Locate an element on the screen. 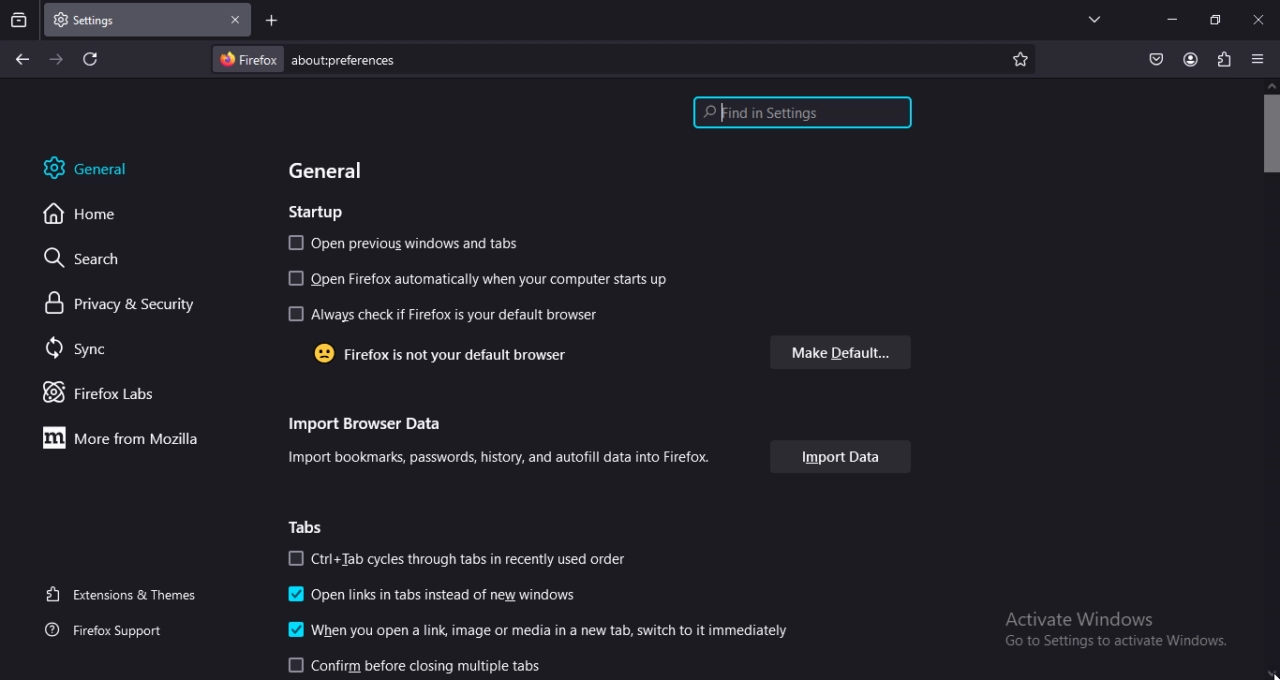 The width and height of the screenshot is (1280, 680). close is located at coordinates (1258, 22).